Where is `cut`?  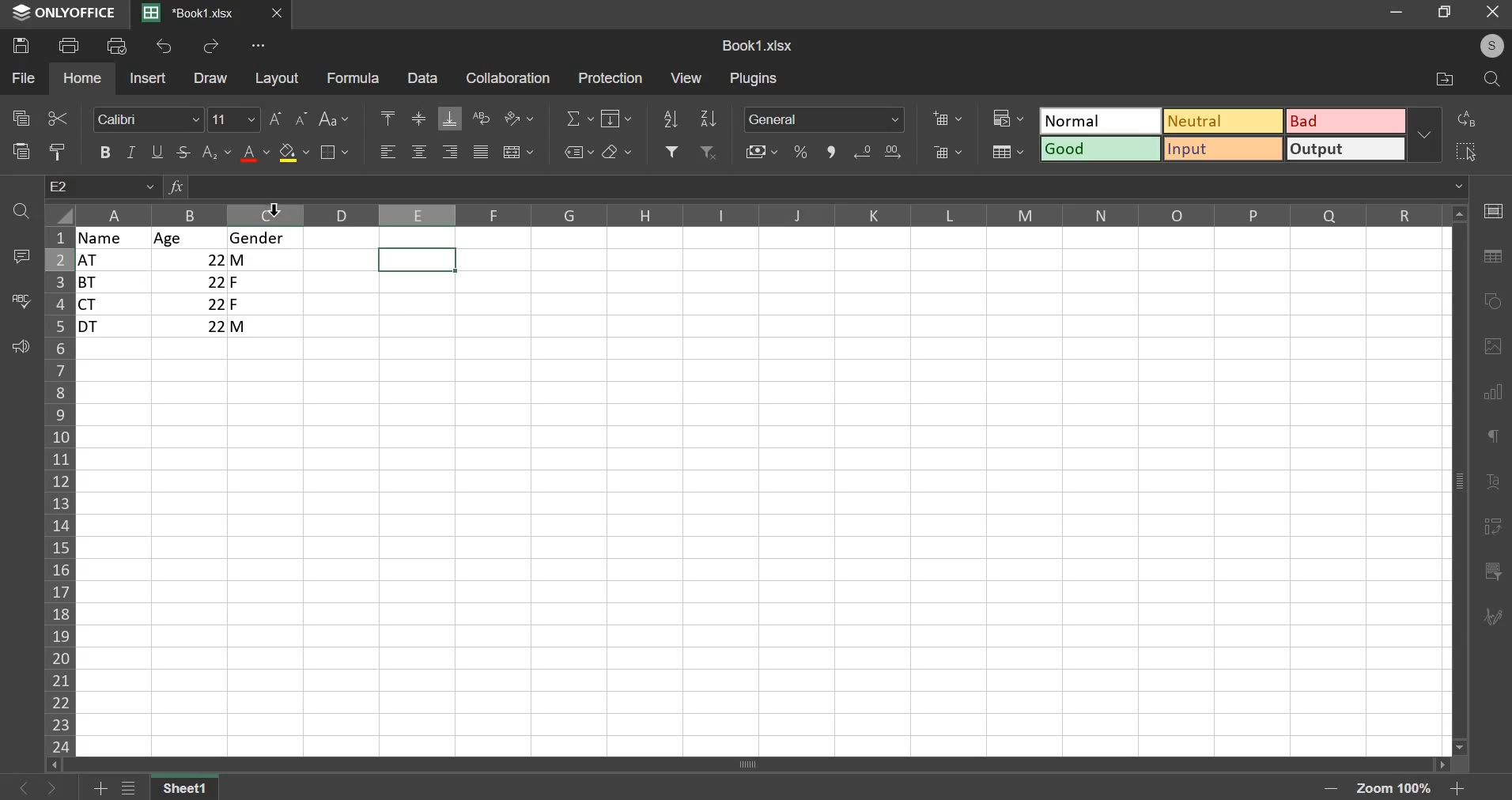
cut is located at coordinates (58, 119).